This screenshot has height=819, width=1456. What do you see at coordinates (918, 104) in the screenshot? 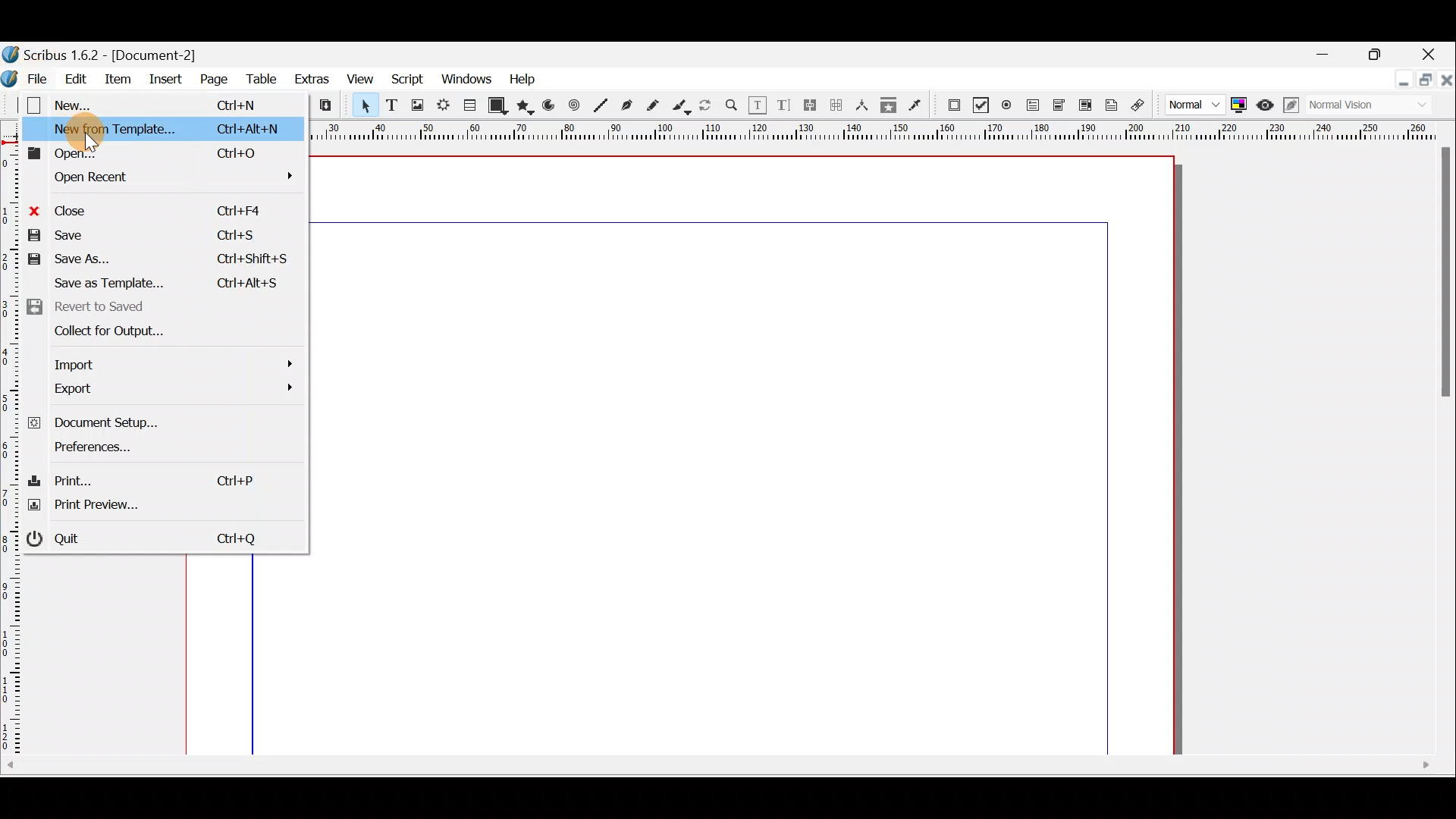
I see `Eye dropper` at bounding box center [918, 104].